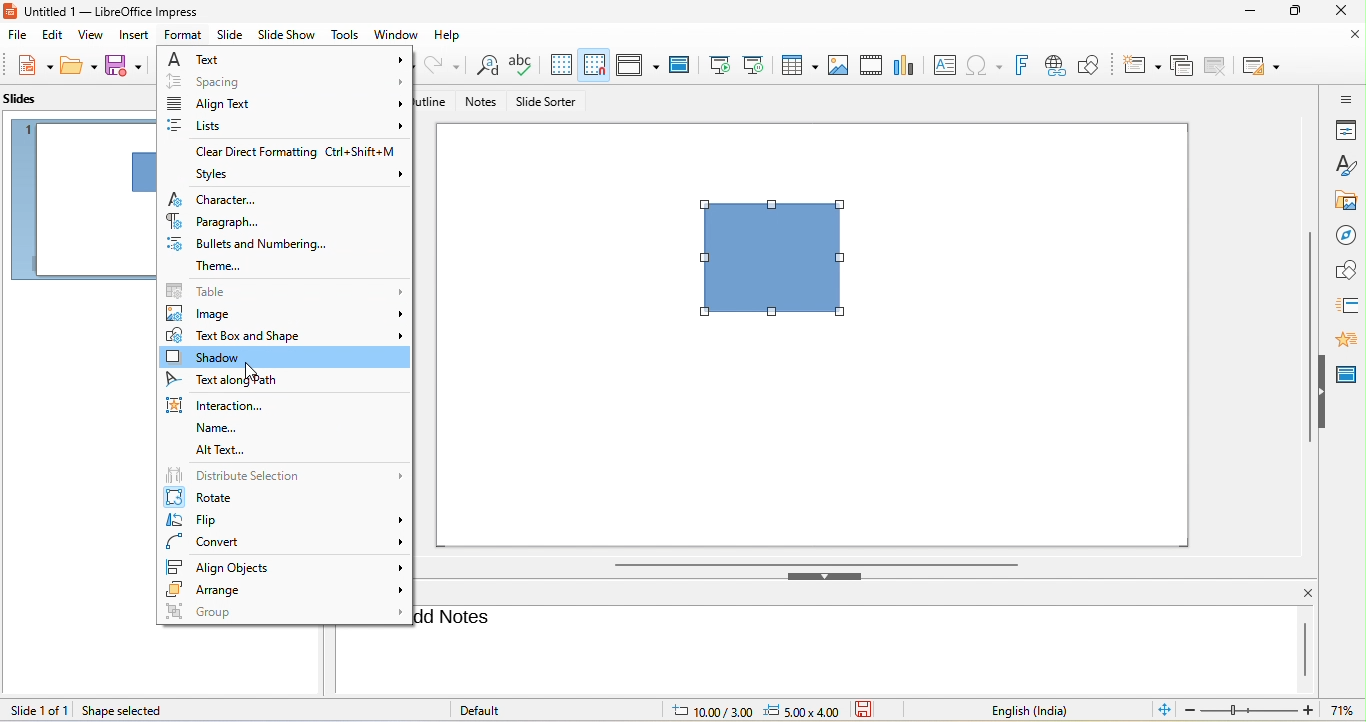  What do you see at coordinates (1346, 269) in the screenshot?
I see `shapes` at bounding box center [1346, 269].